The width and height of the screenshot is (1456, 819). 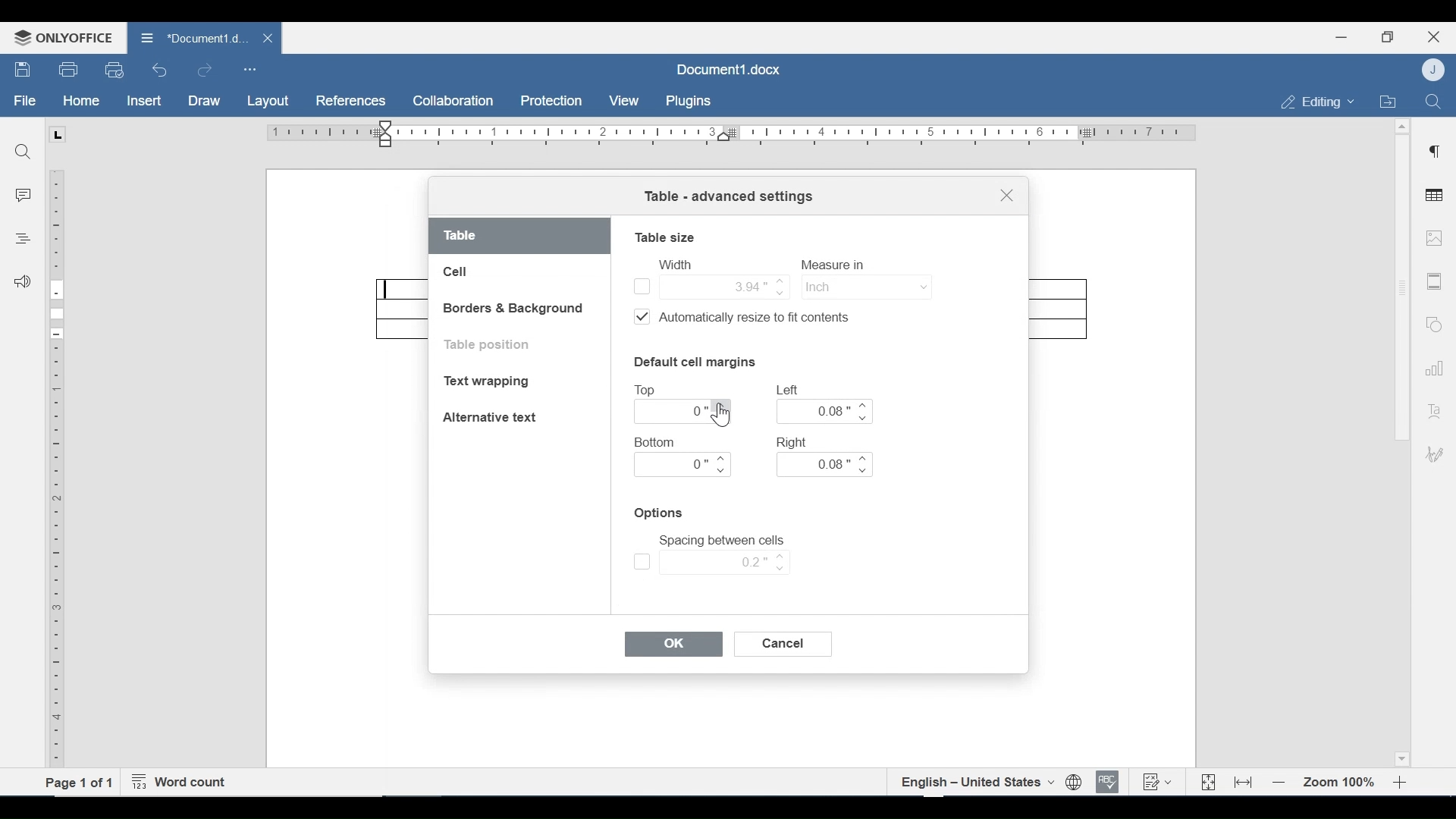 I want to click on Zoom in, so click(x=1403, y=783).